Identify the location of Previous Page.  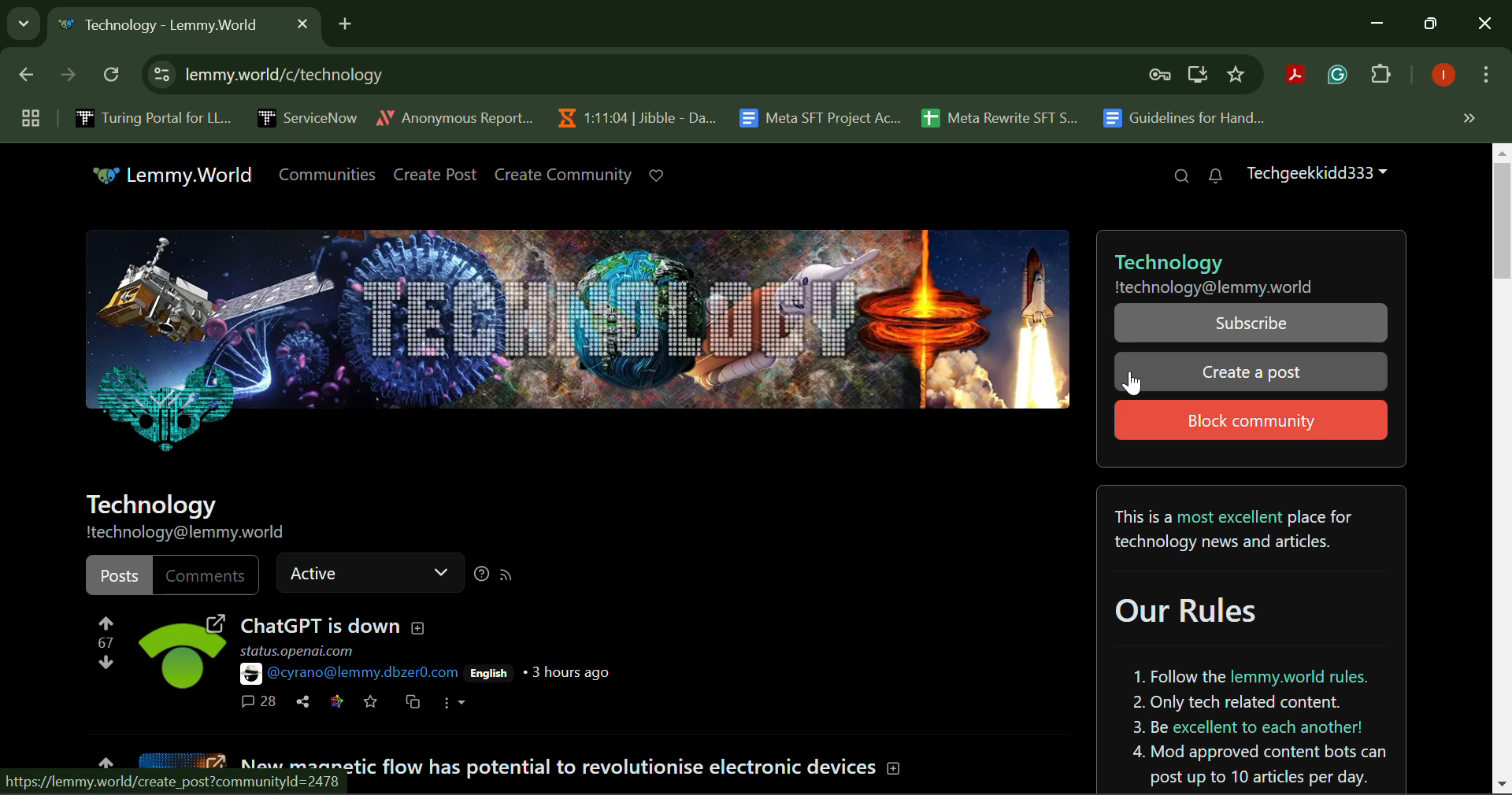
(29, 78).